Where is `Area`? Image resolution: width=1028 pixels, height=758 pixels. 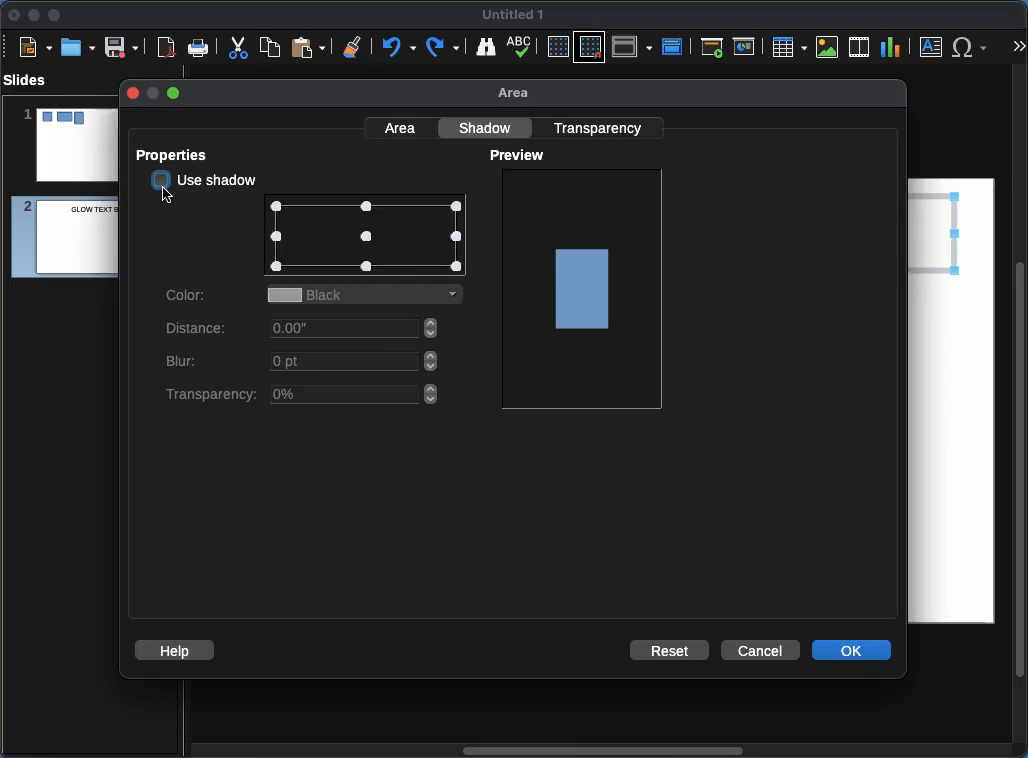 Area is located at coordinates (402, 127).